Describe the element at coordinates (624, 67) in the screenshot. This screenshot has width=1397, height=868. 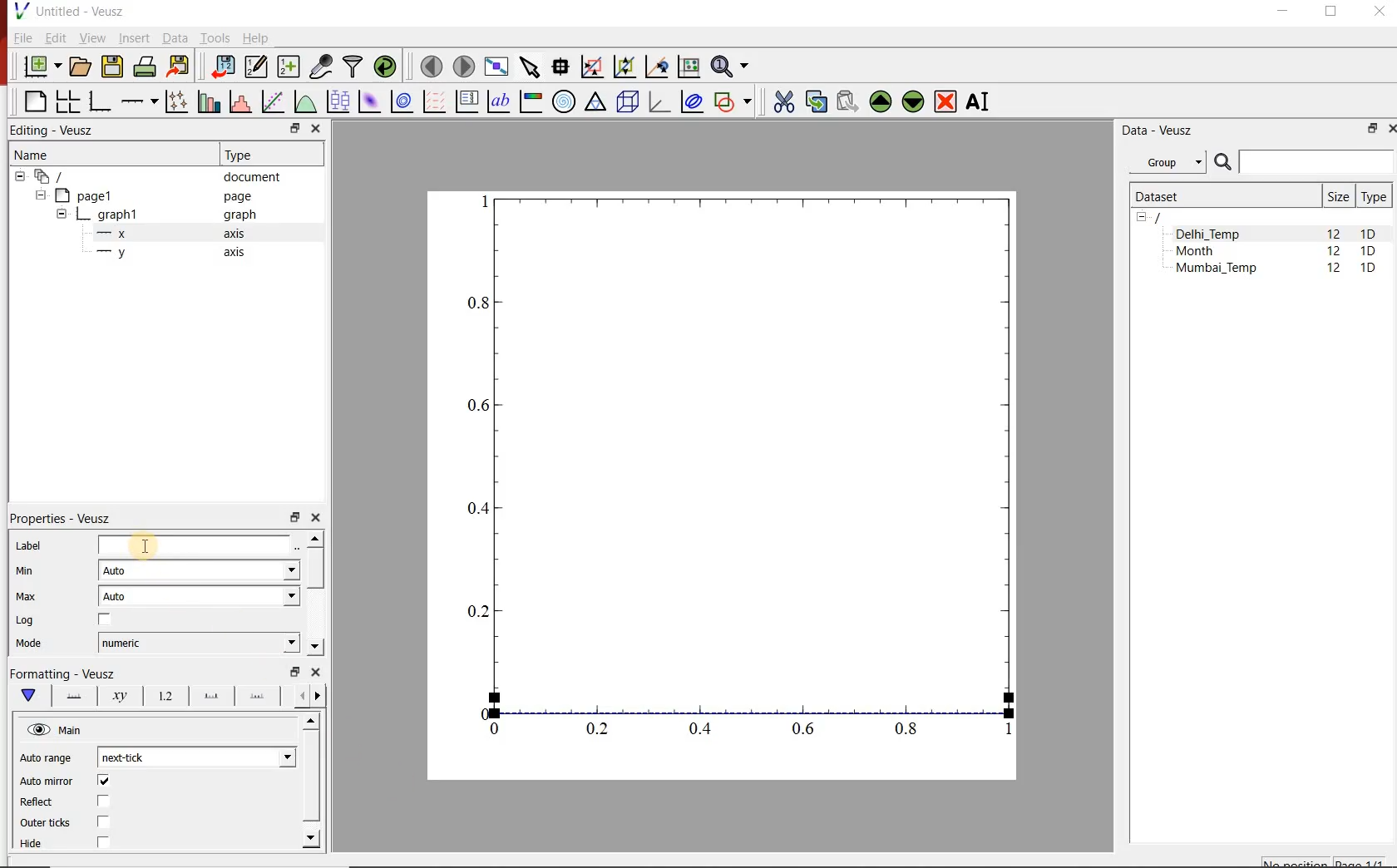
I see `click to zoom out of graph axes` at that location.